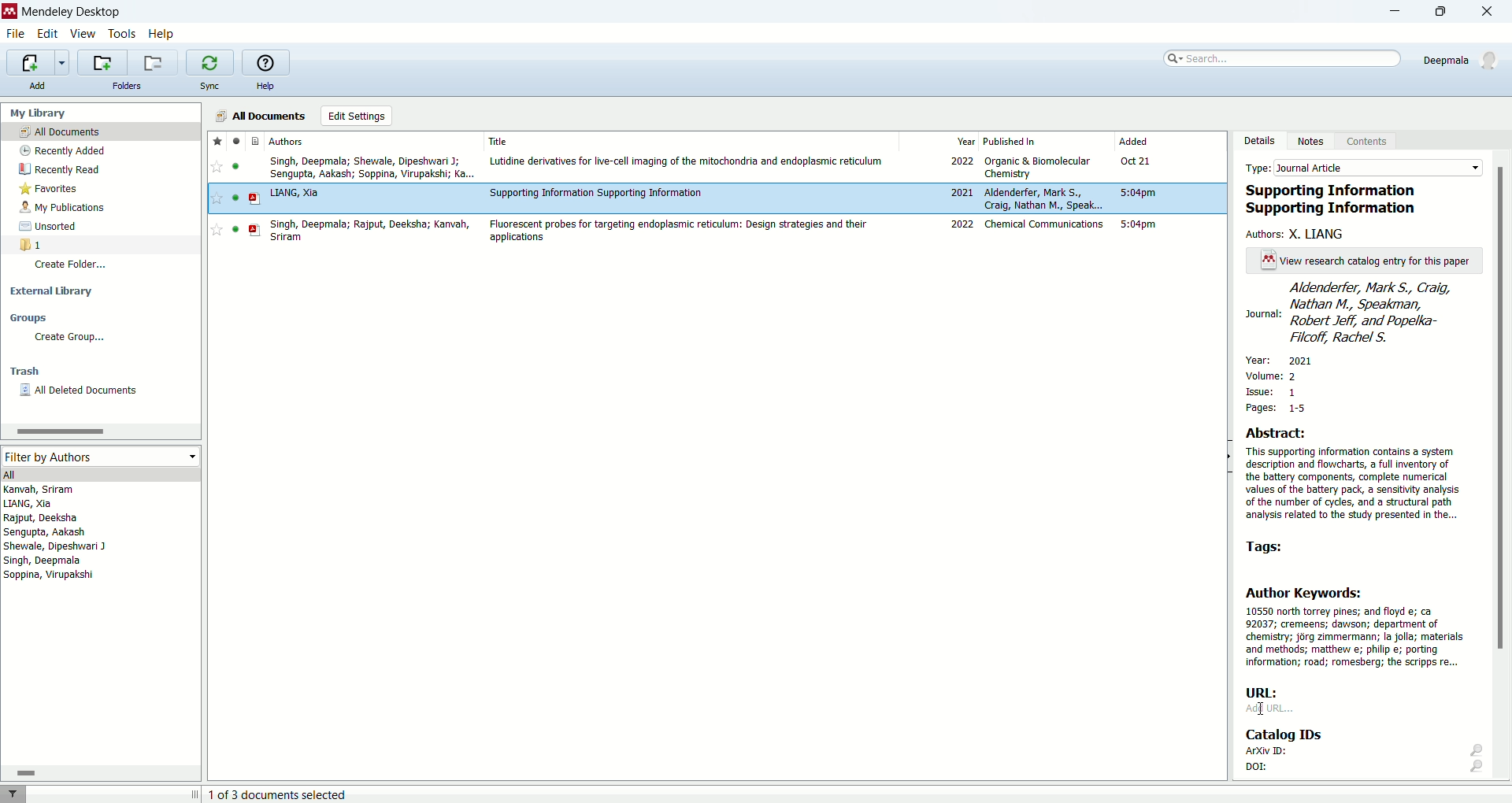  Describe the element at coordinates (1447, 12) in the screenshot. I see `maximize` at that location.